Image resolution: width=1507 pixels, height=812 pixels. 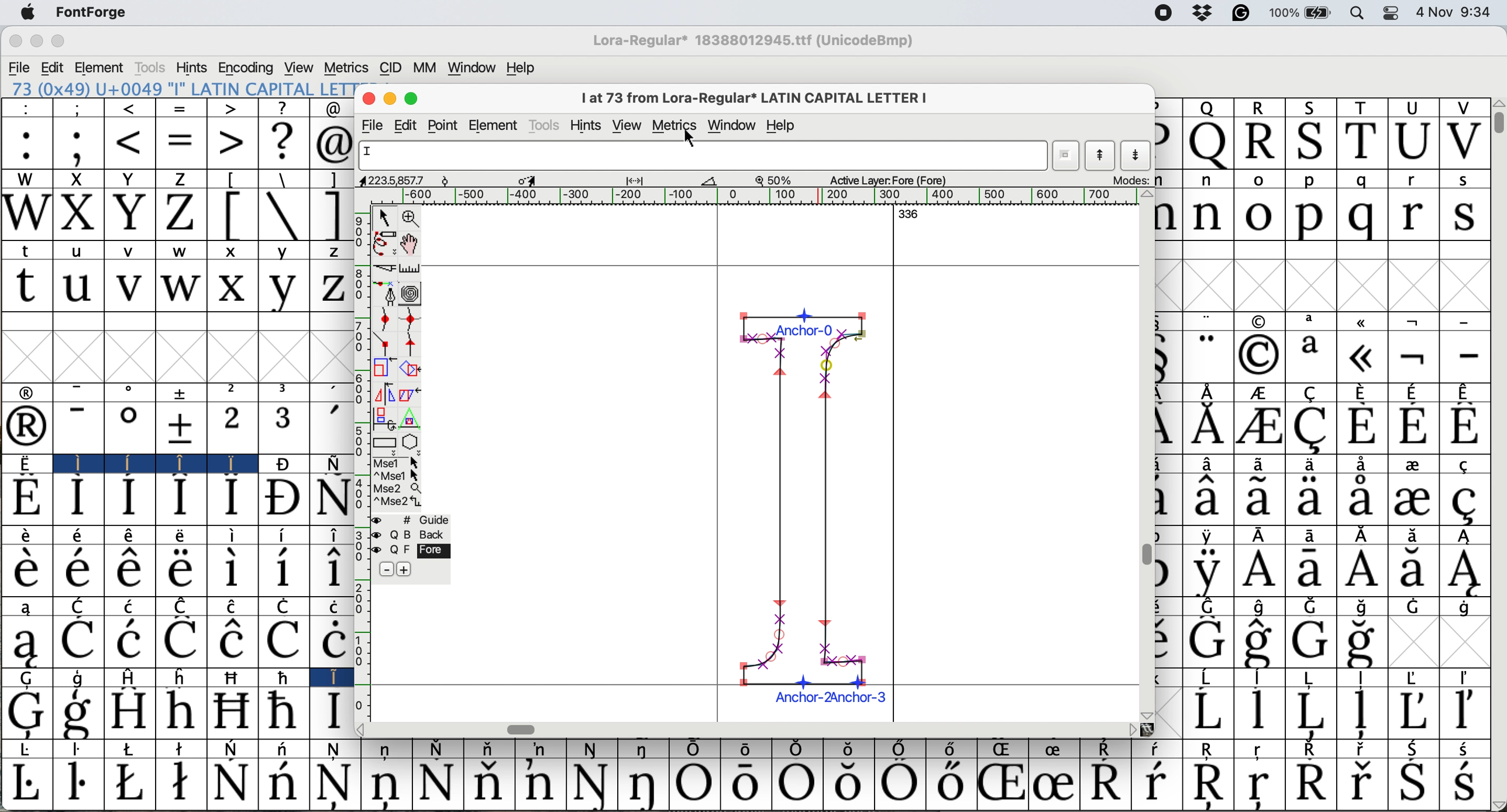 I want to click on tools, so click(x=149, y=68).